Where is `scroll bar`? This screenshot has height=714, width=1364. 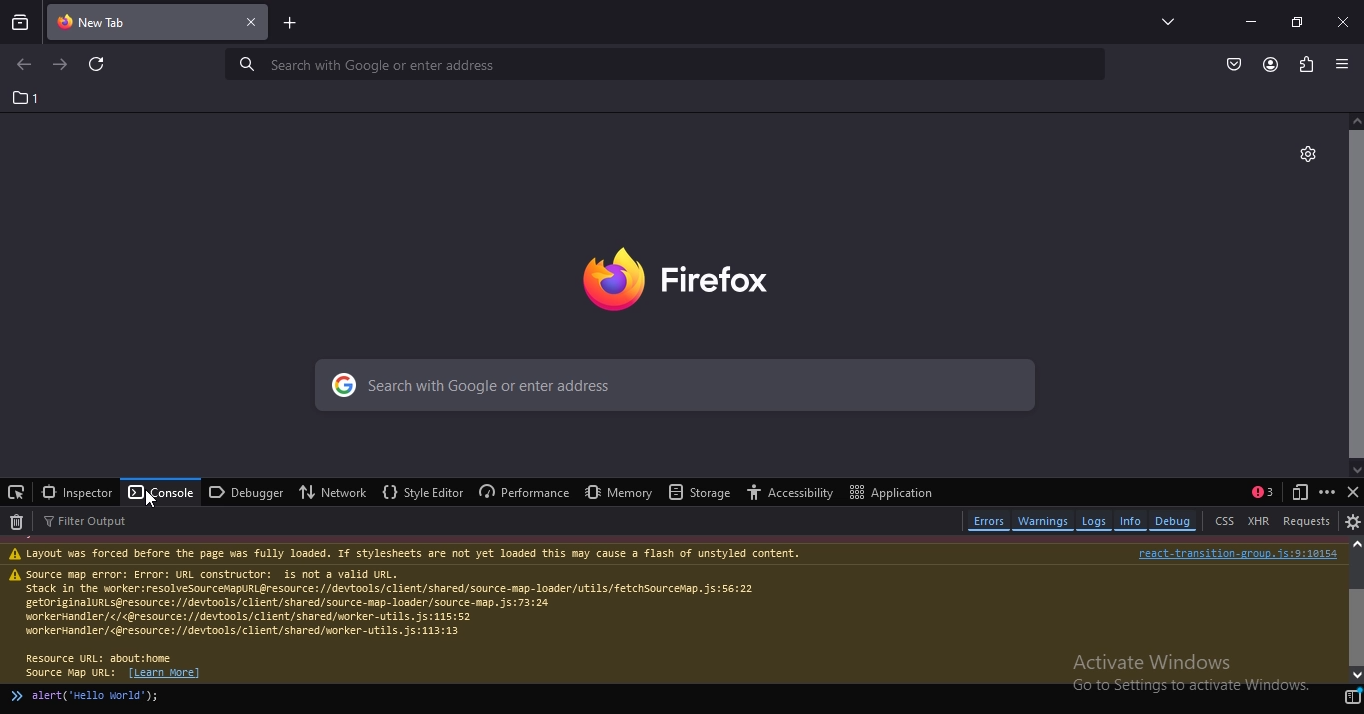 scroll bar is located at coordinates (1355, 611).